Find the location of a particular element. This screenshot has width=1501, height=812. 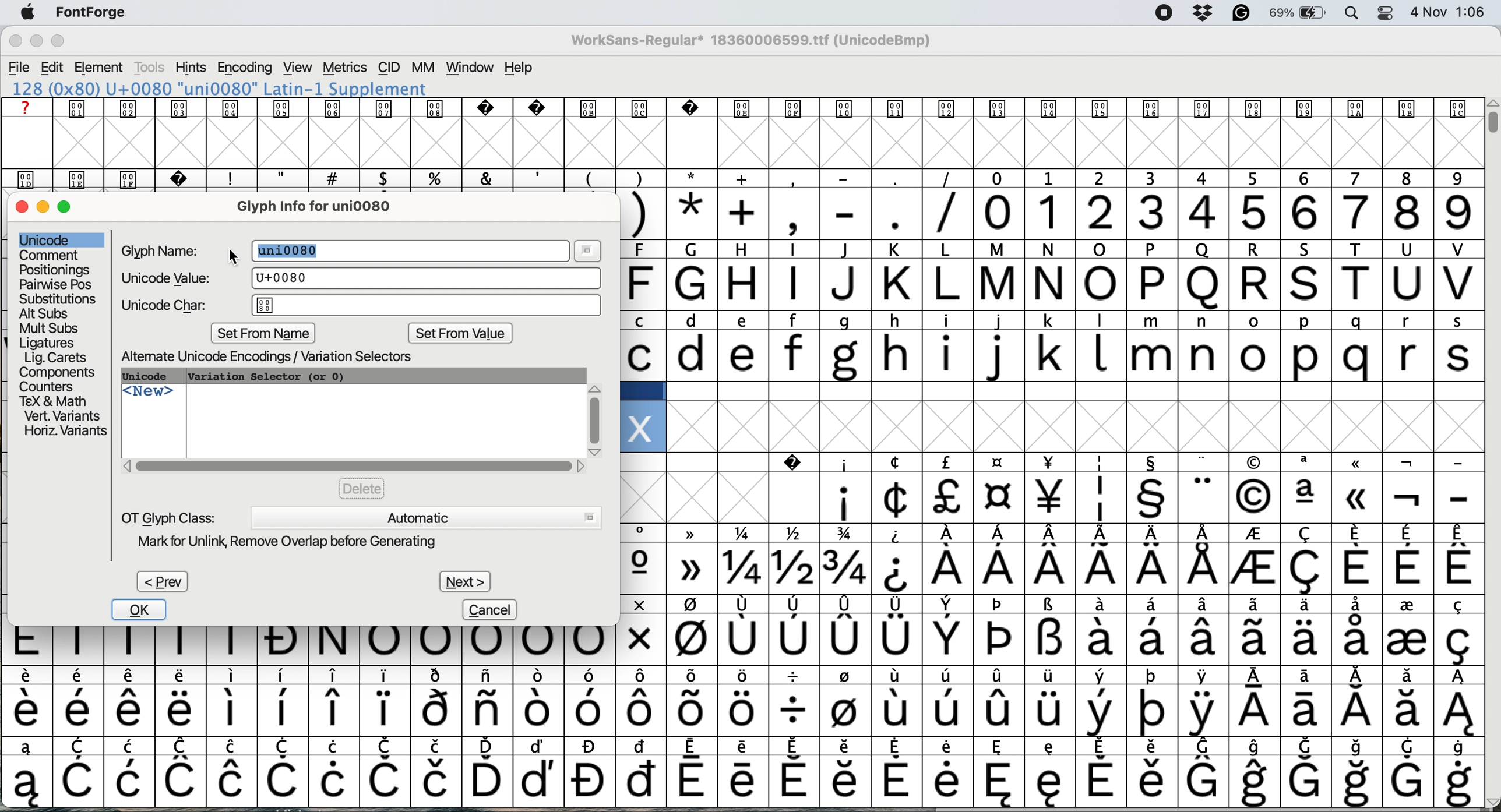

special characters is located at coordinates (792, 213).